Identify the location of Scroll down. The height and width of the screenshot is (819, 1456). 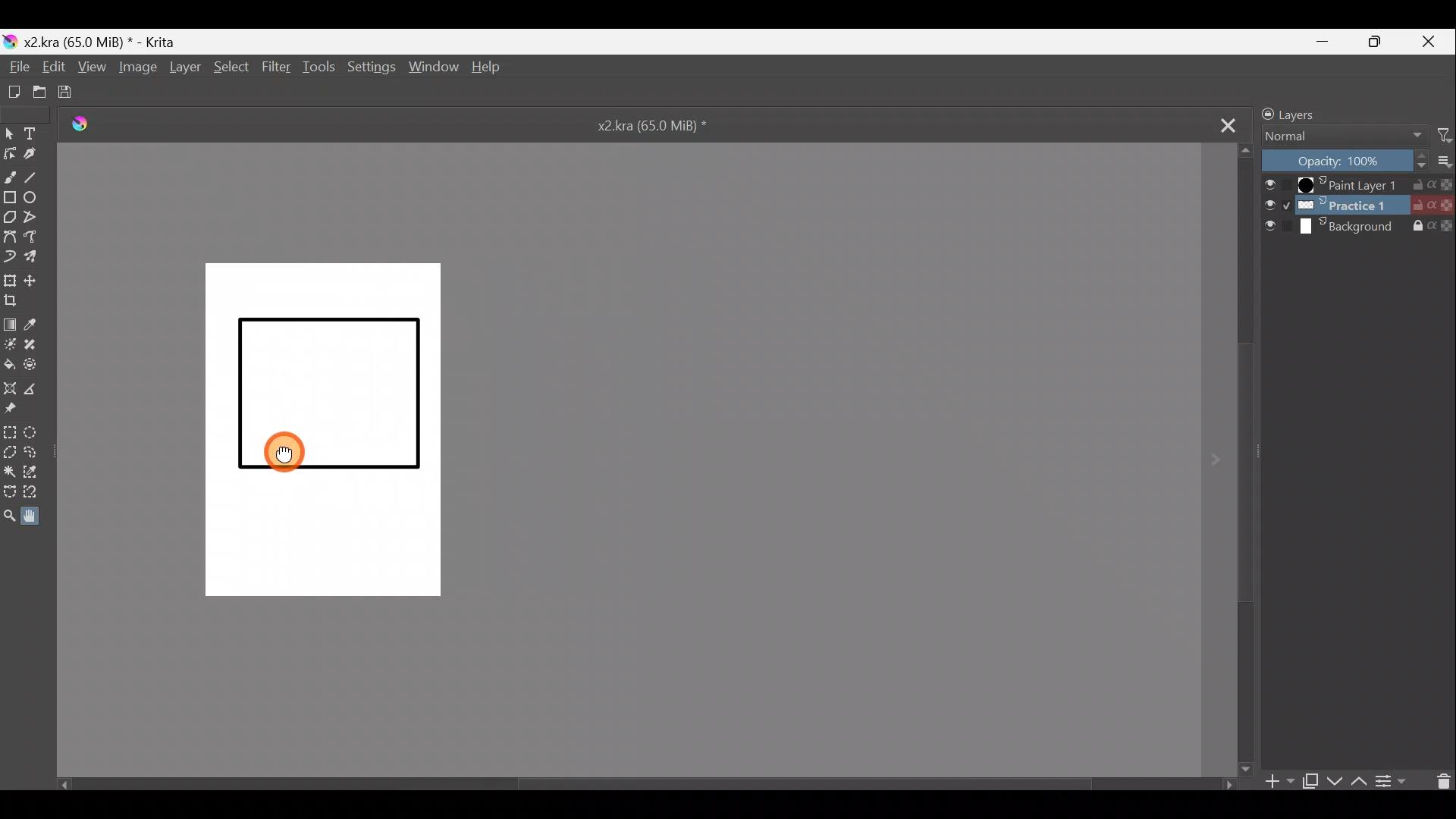
(1247, 459).